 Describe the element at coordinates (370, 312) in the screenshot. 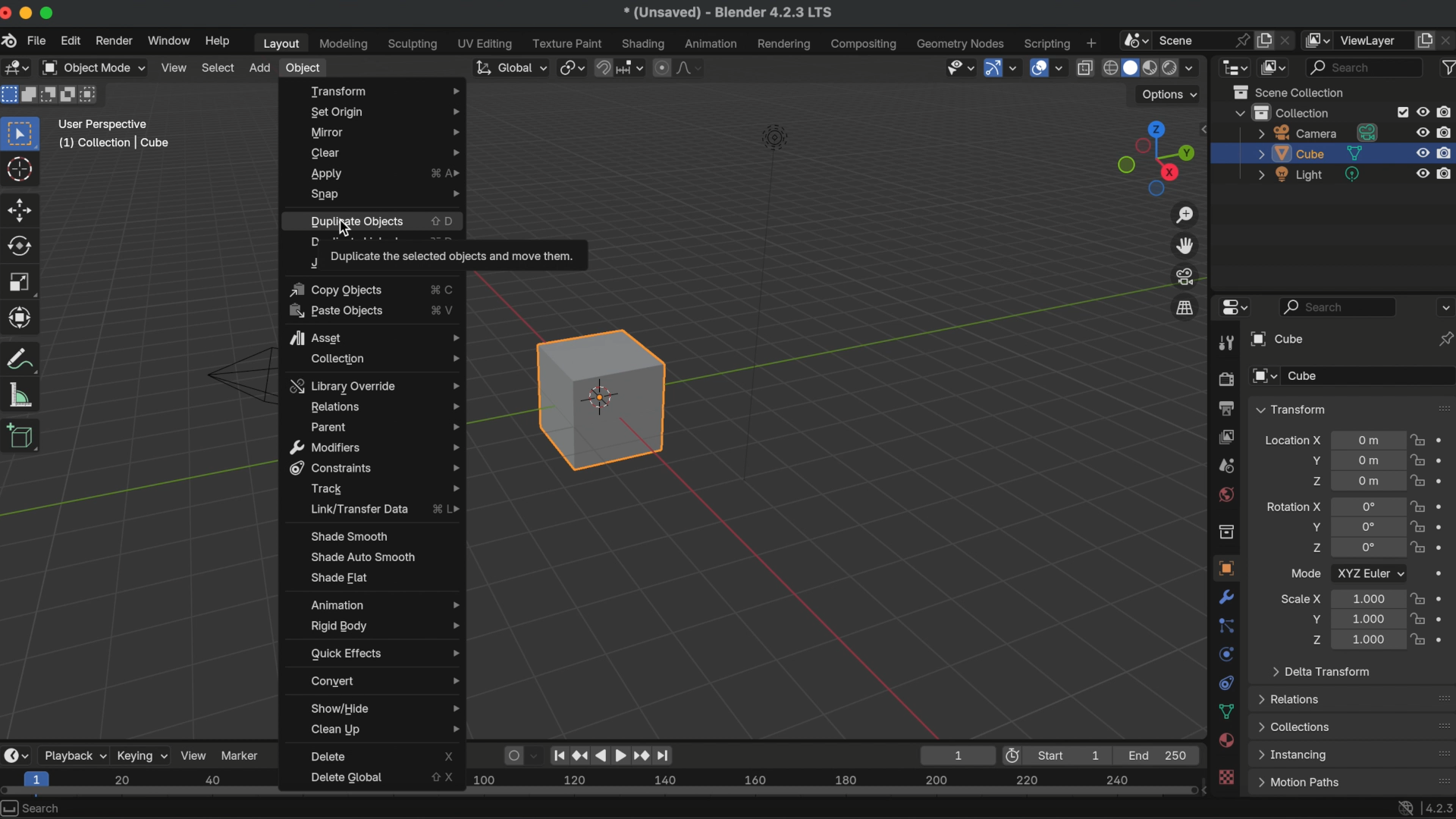

I see `paste objects` at that location.